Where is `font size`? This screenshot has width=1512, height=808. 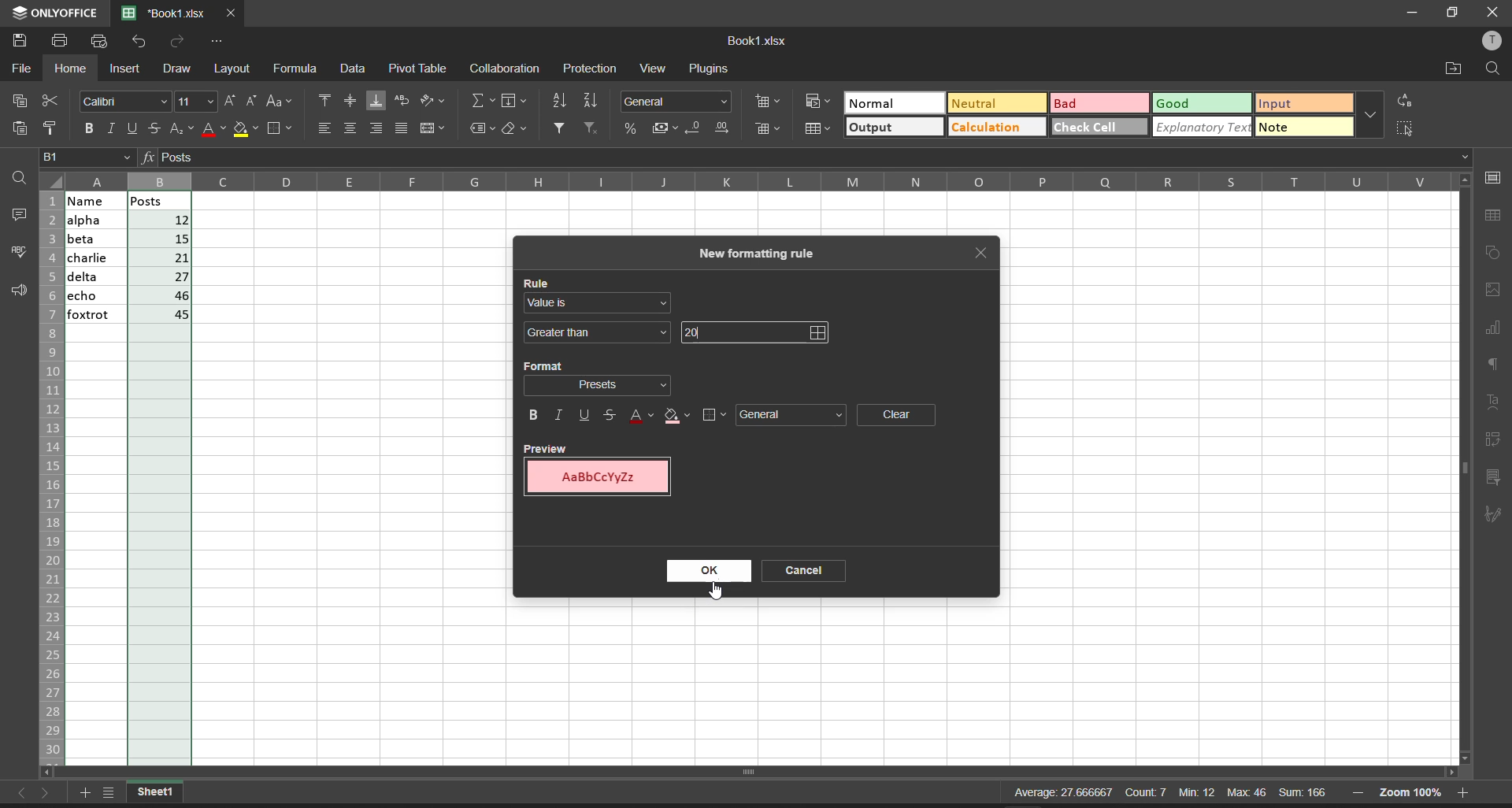 font size is located at coordinates (195, 101).